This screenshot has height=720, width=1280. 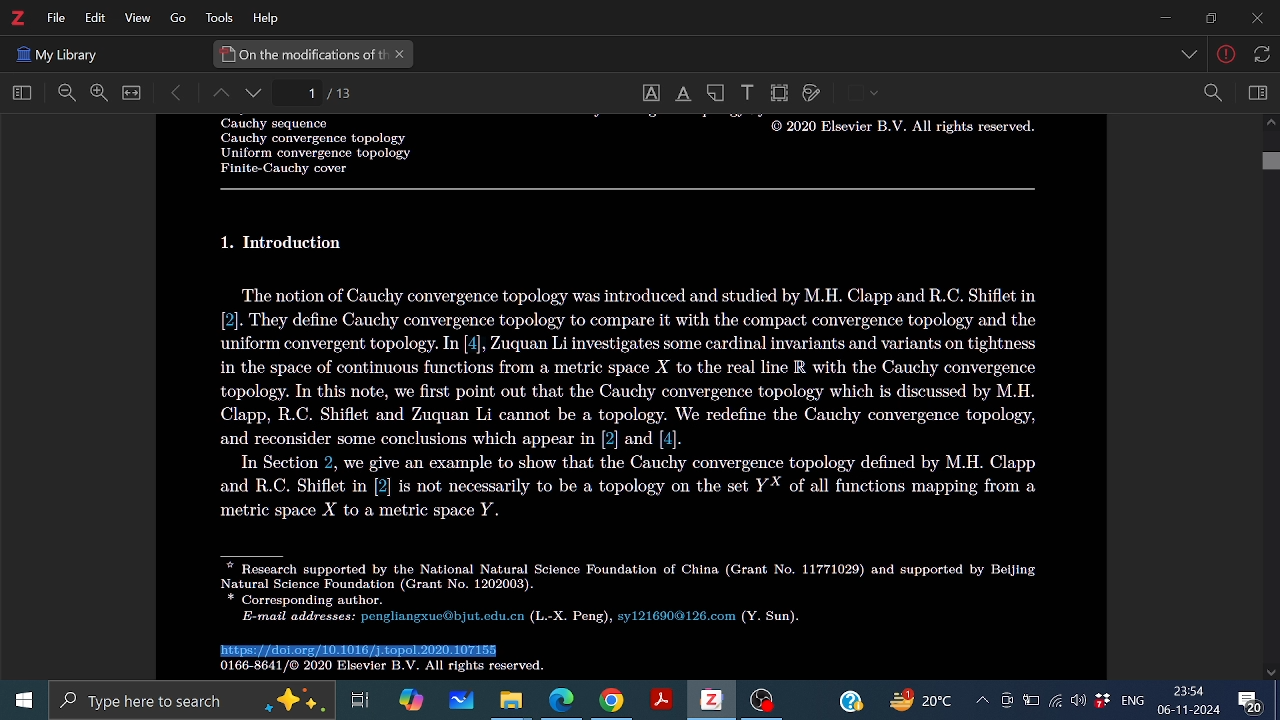 What do you see at coordinates (625, 588) in the screenshot?
I see `` at bounding box center [625, 588].